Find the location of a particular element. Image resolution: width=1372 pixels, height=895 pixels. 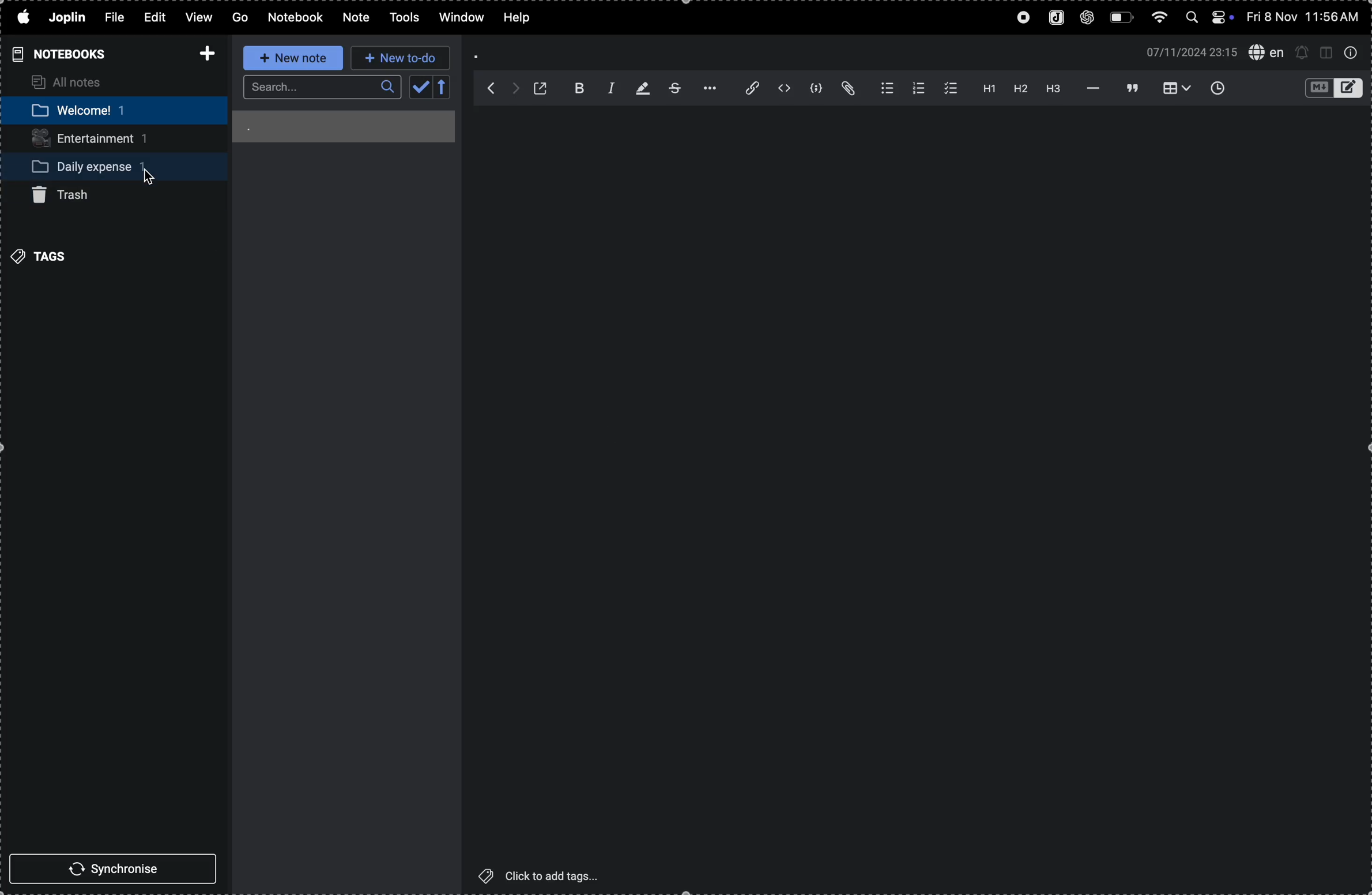

open window is located at coordinates (544, 88).